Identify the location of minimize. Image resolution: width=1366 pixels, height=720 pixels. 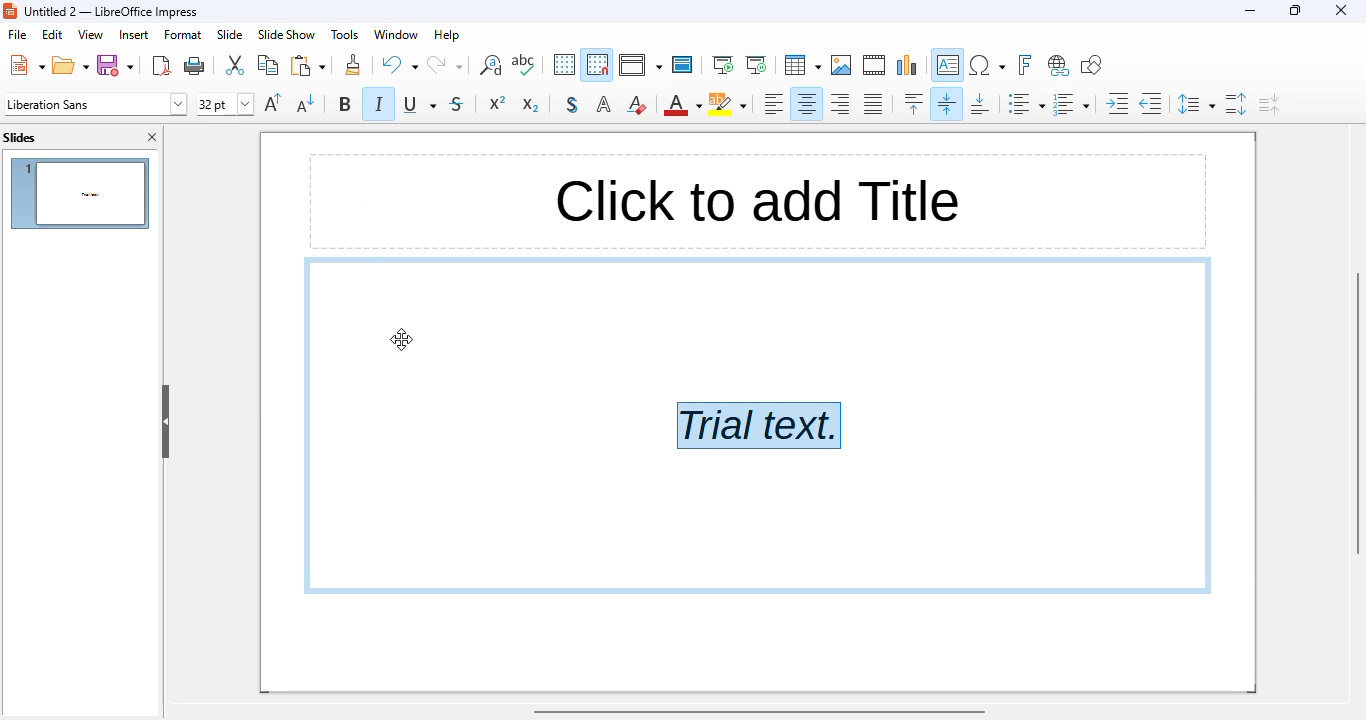
(1250, 11).